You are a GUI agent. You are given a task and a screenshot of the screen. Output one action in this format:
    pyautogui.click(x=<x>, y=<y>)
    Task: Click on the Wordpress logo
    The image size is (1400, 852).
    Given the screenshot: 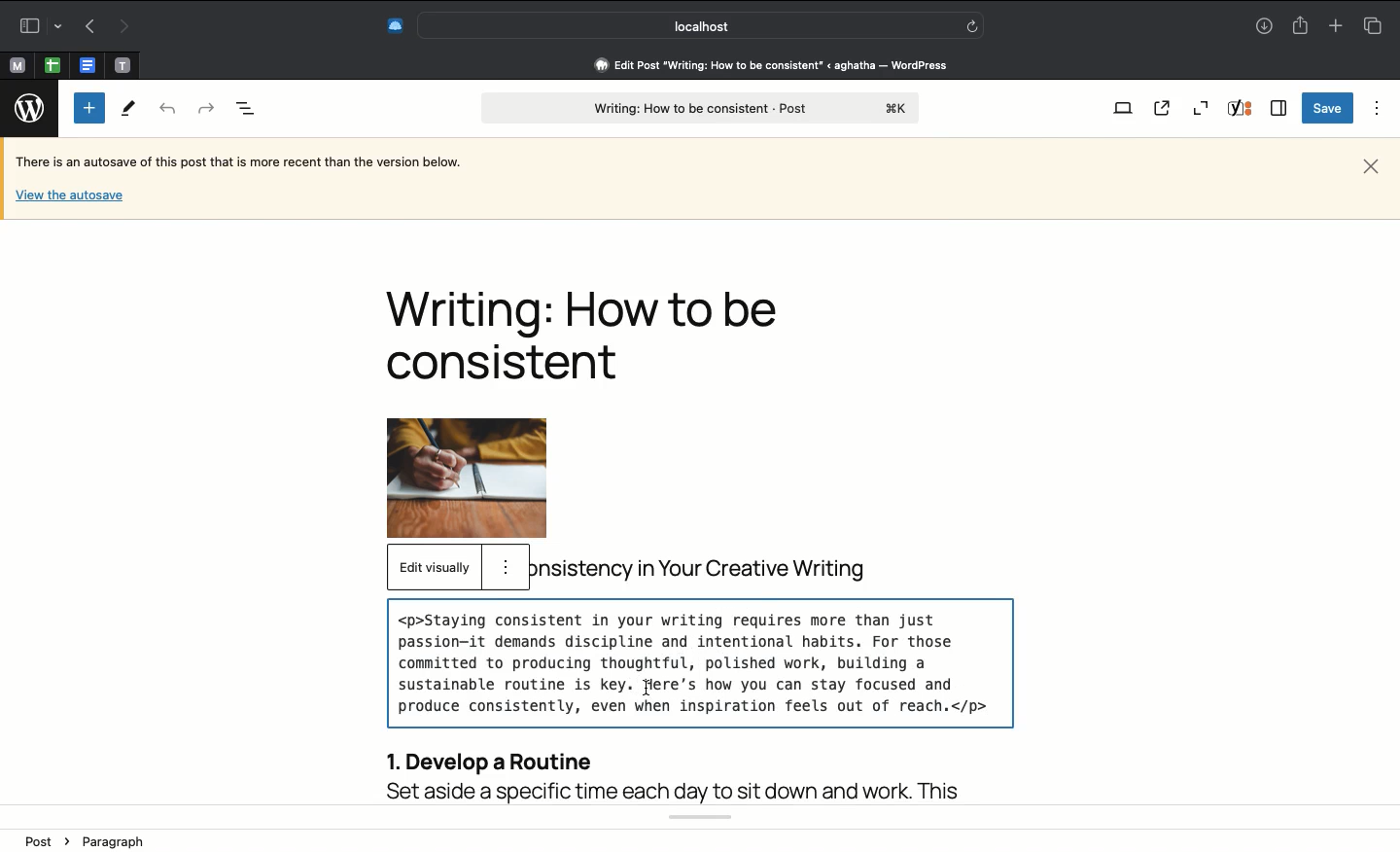 What is the action you would take?
    pyautogui.click(x=25, y=108)
    